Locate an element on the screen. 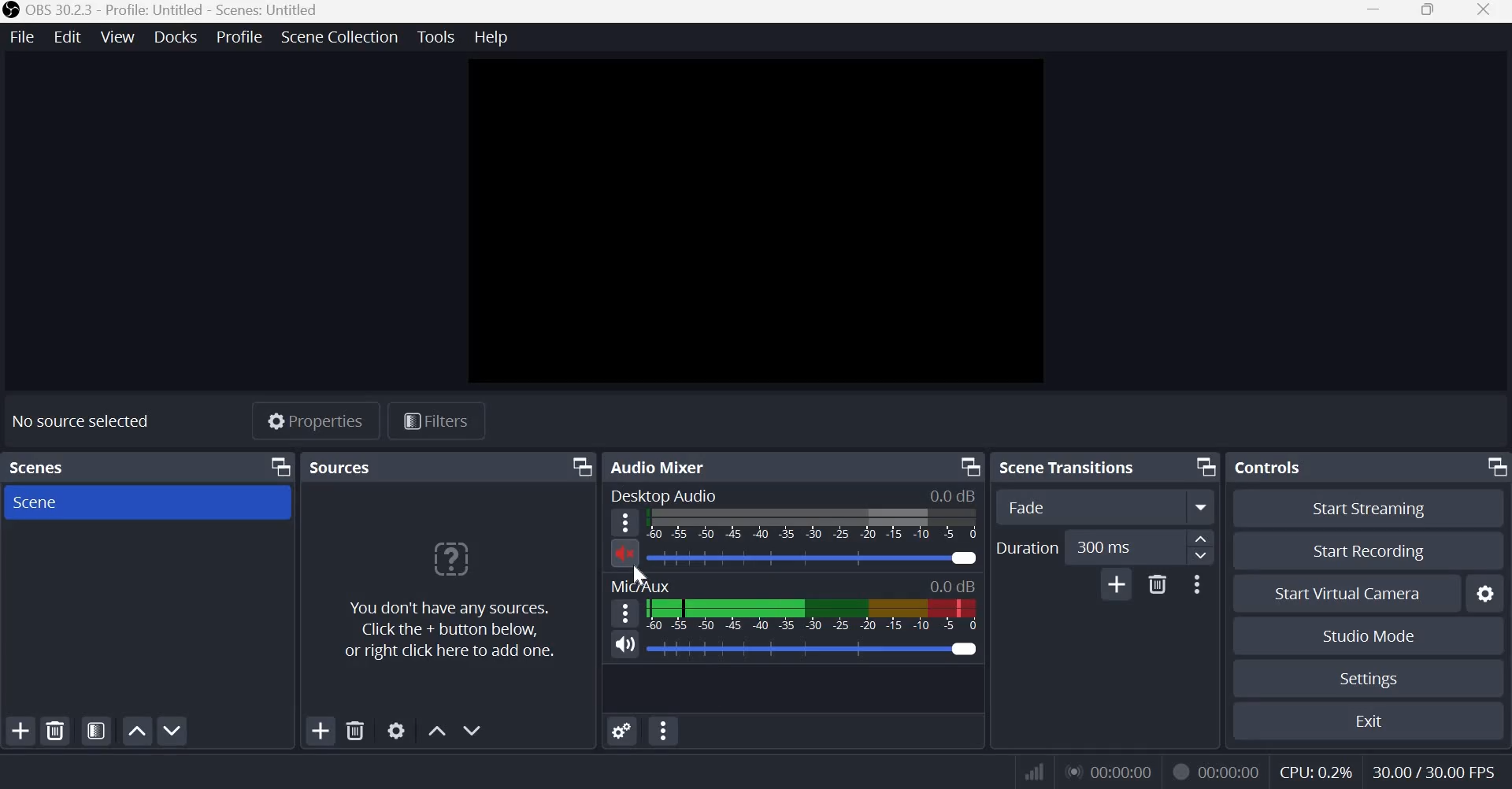 Image resolution: width=1512 pixels, height=789 pixels. Audio Mixer is located at coordinates (662, 466).